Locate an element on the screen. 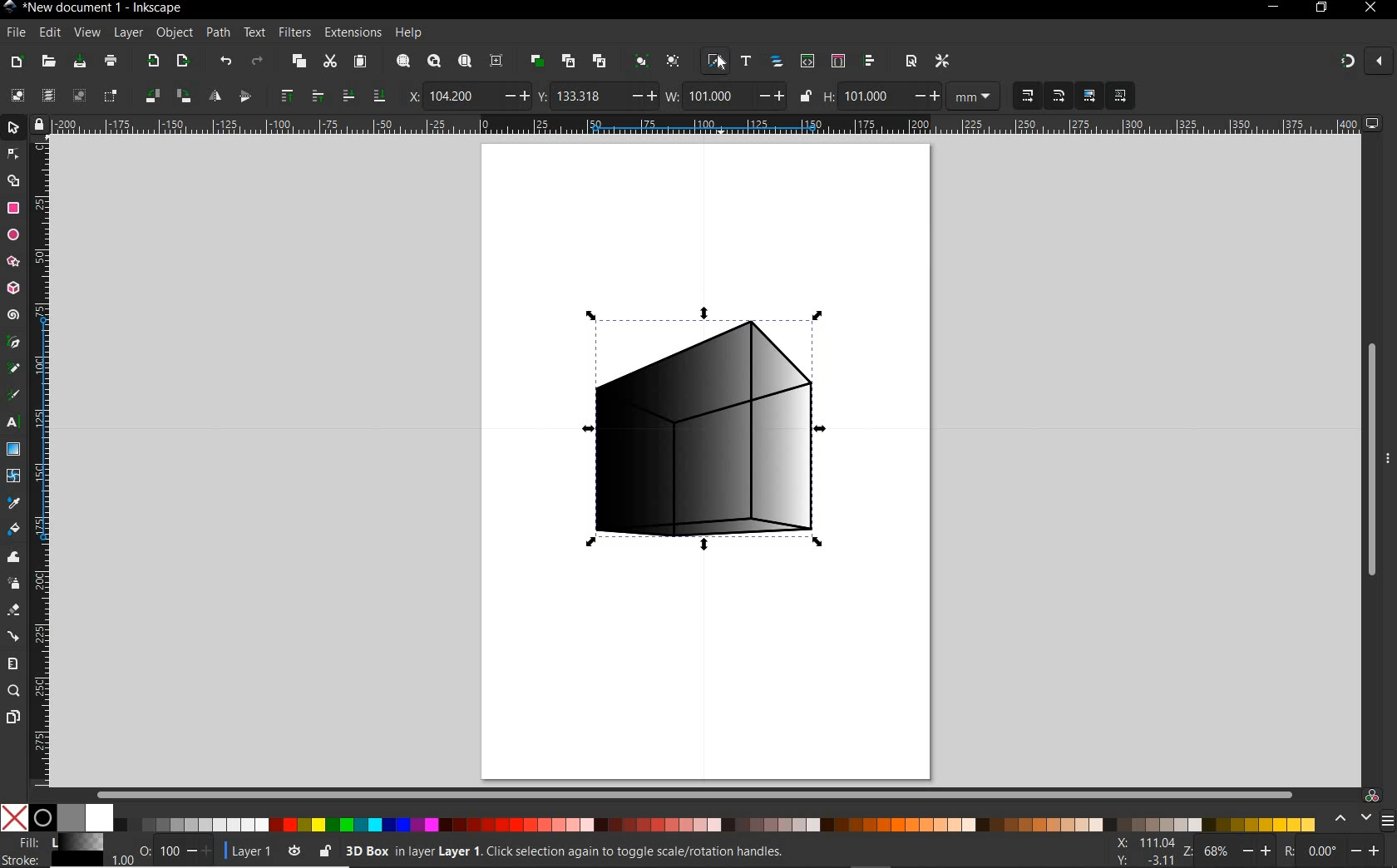 This screenshot has height=868, width=1397. SPIRAL TOOL is located at coordinates (15, 315).